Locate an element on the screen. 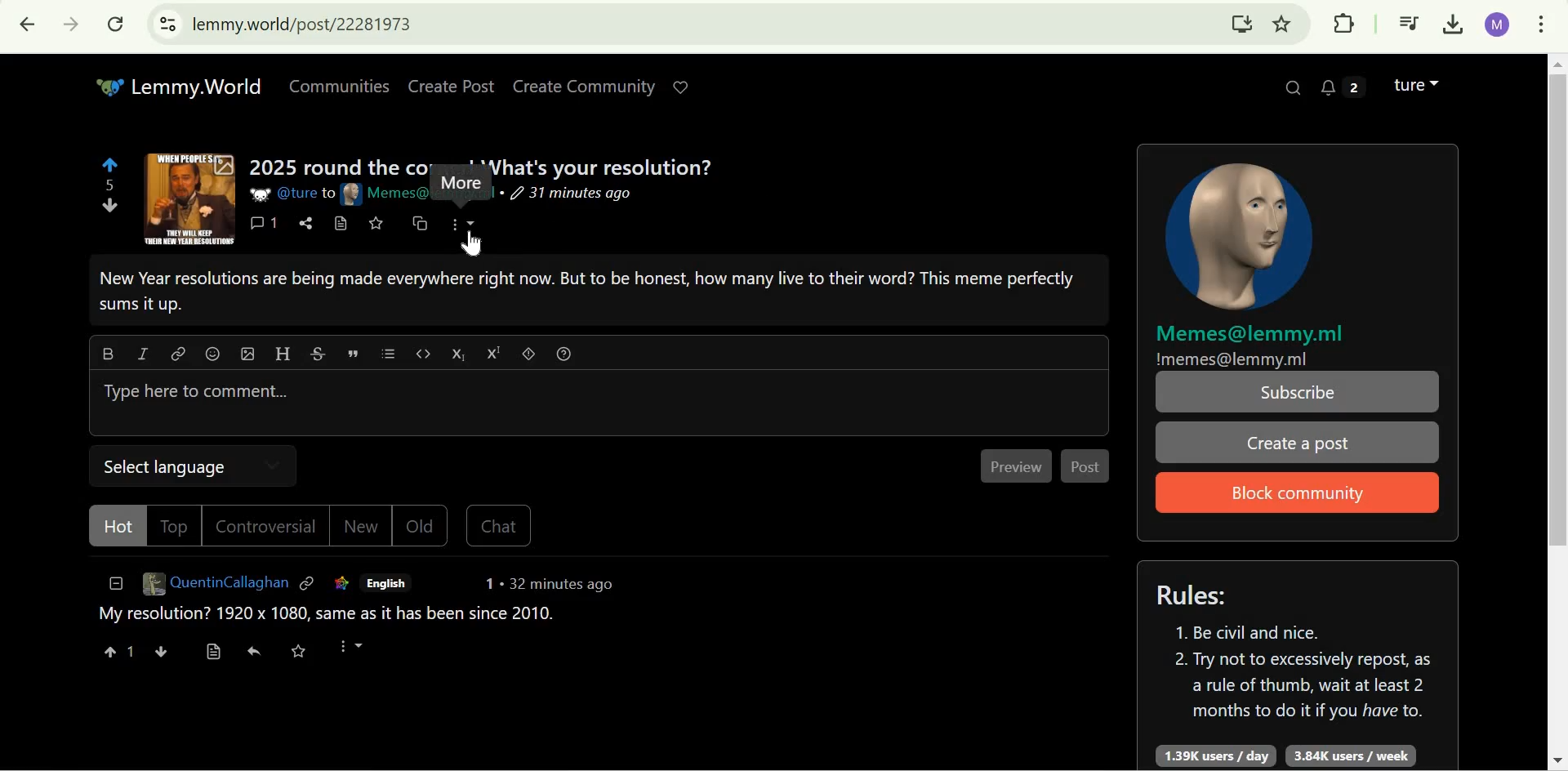 This screenshot has height=771, width=1568. Block Community is located at coordinates (1297, 493).